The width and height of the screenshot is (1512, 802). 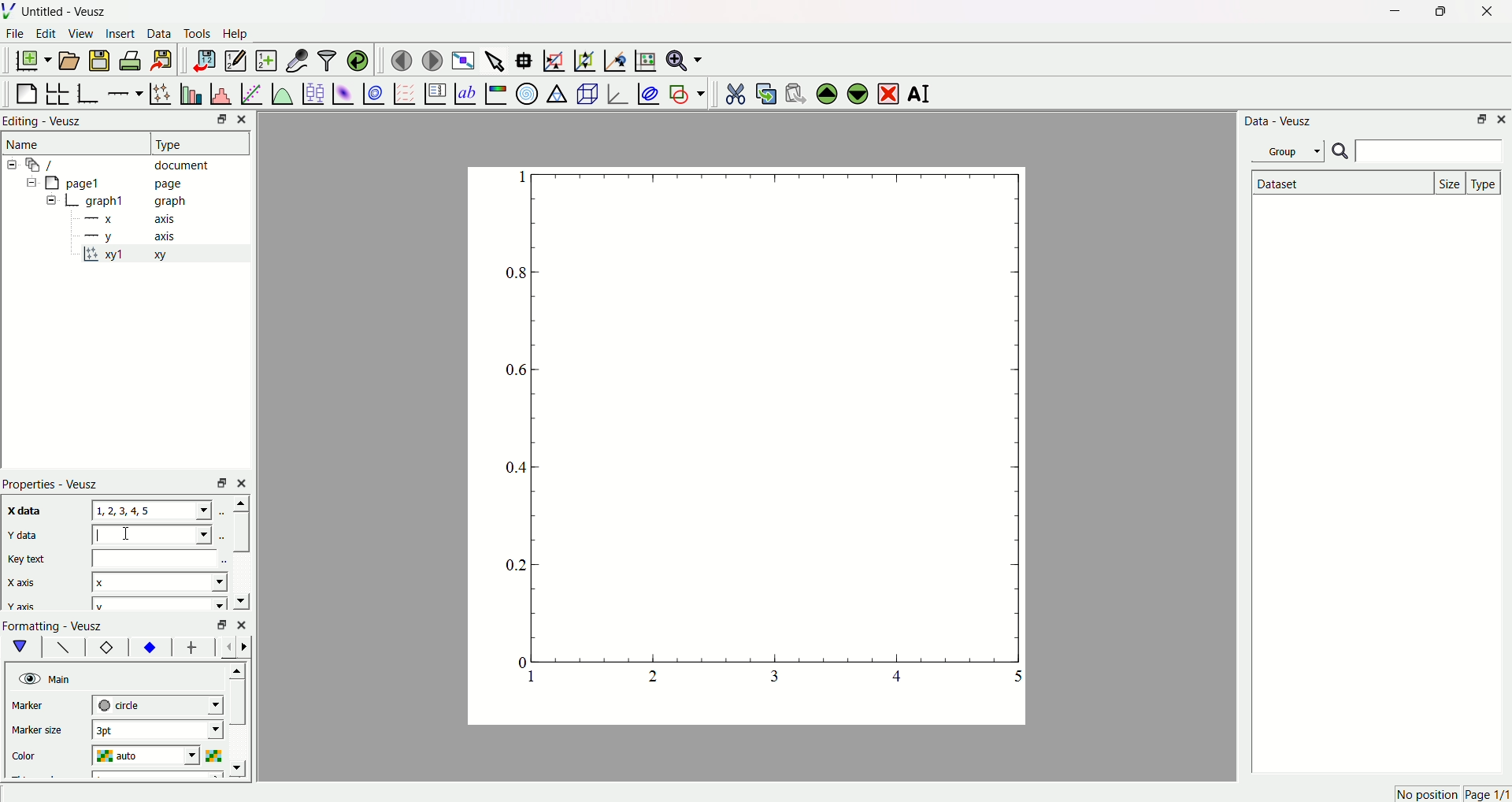 What do you see at coordinates (250, 92) in the screenshot?
I see `fit a function` at bounding box center [250, 92].